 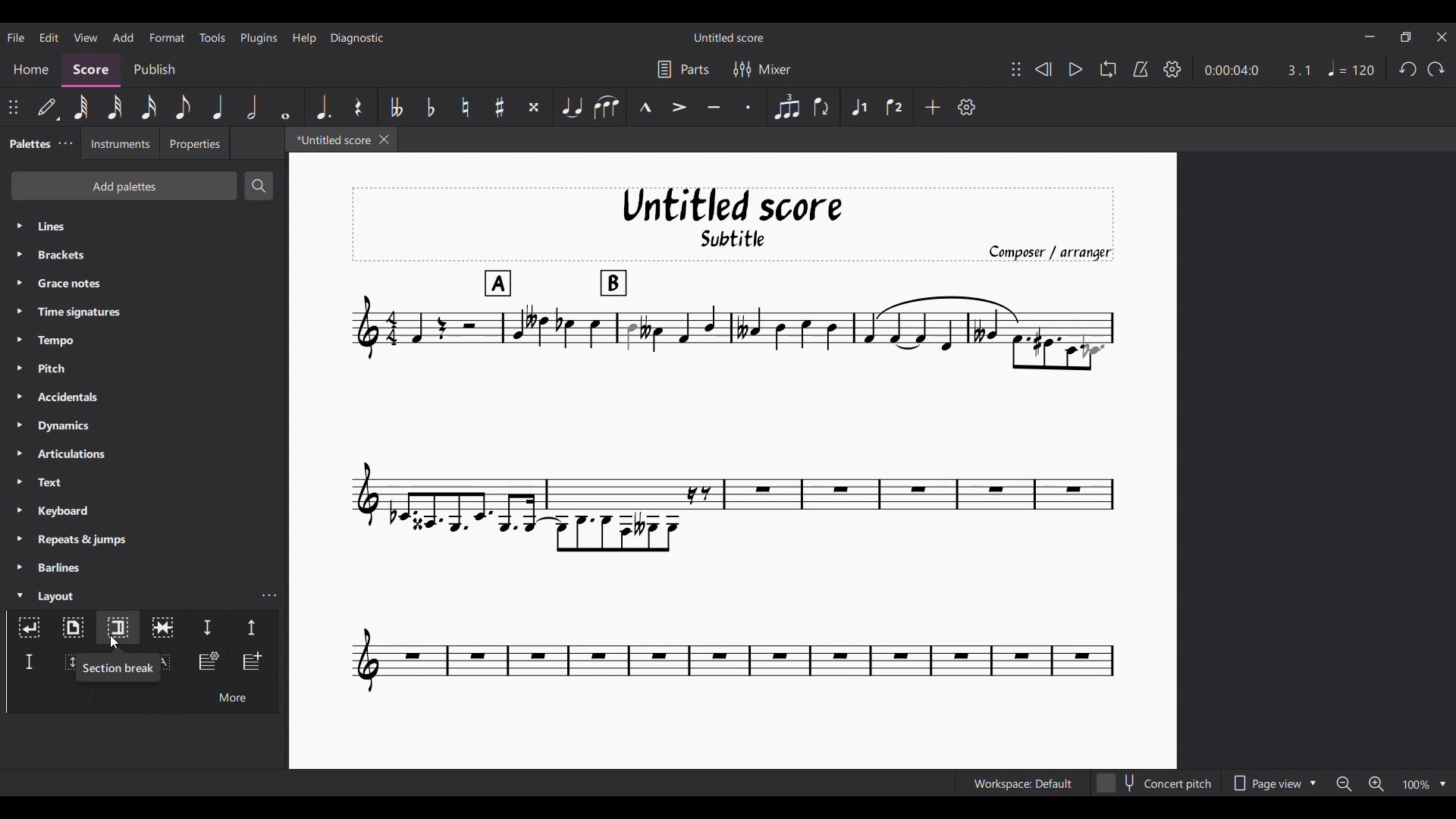 I want to click on Format menu, so click(x=168, y=37).